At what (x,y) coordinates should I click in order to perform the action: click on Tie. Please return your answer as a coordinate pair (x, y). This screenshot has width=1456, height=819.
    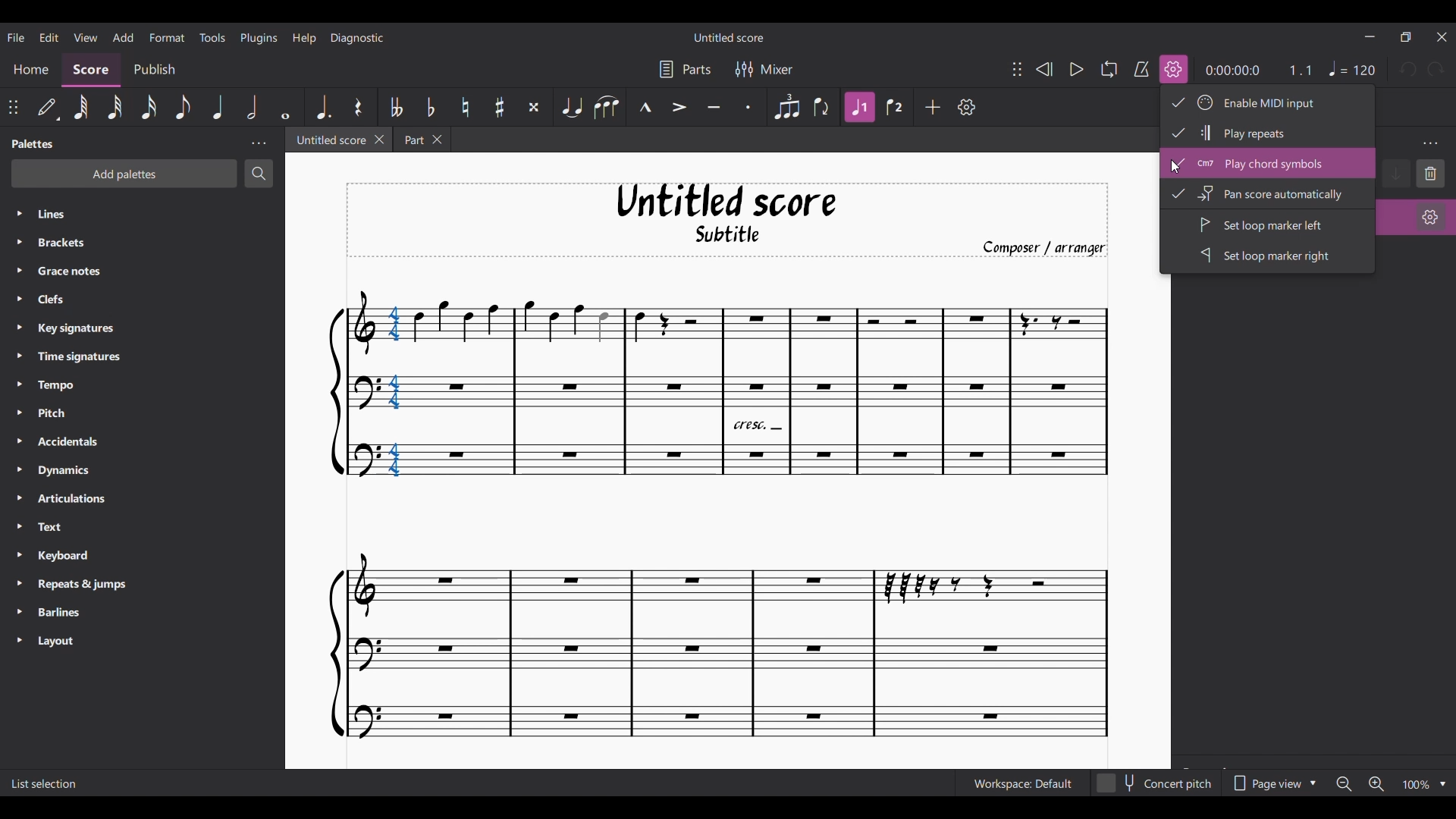
    Looking at the image, I should click on (571, 106).